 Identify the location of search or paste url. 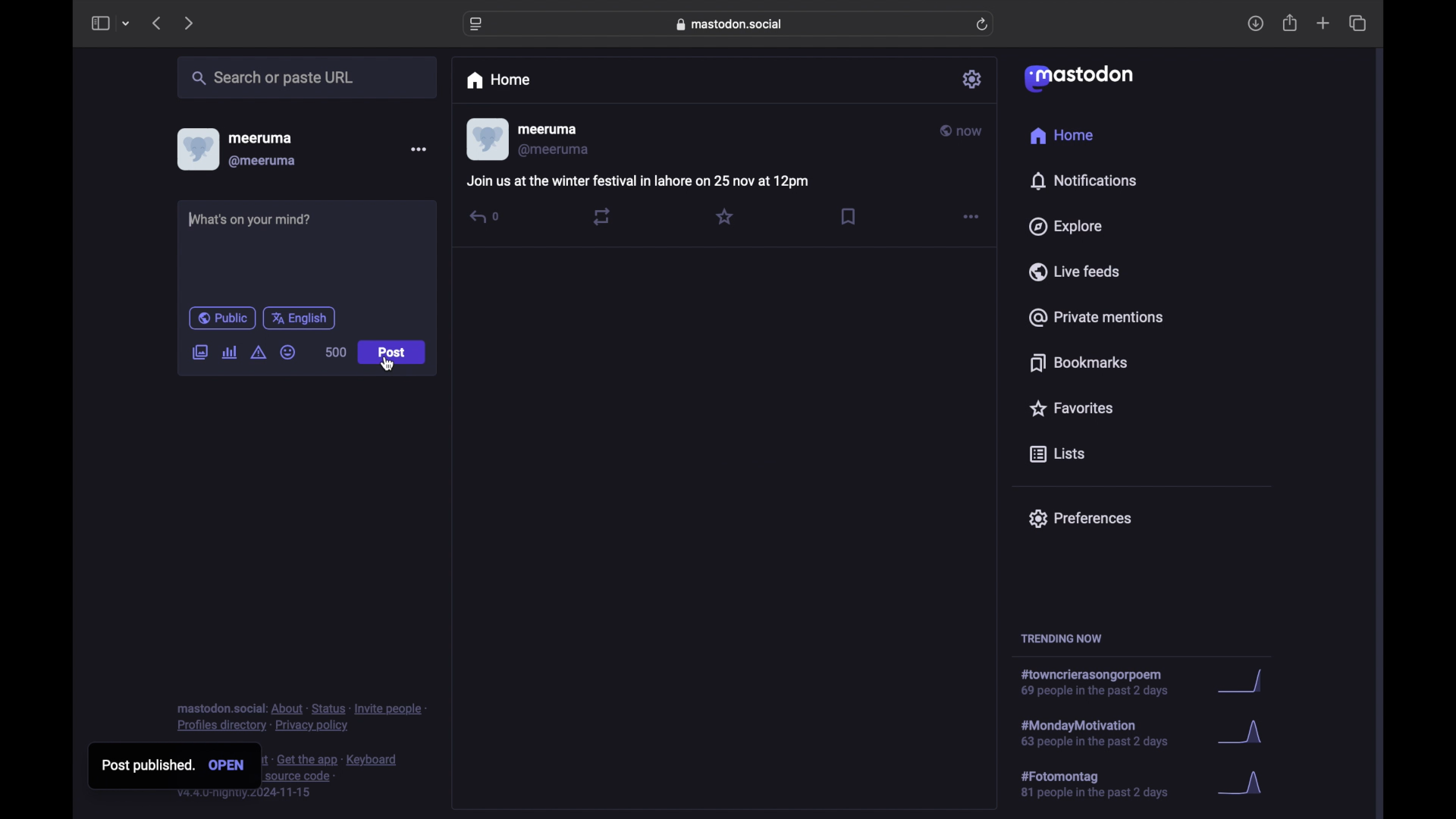
(272, 78).